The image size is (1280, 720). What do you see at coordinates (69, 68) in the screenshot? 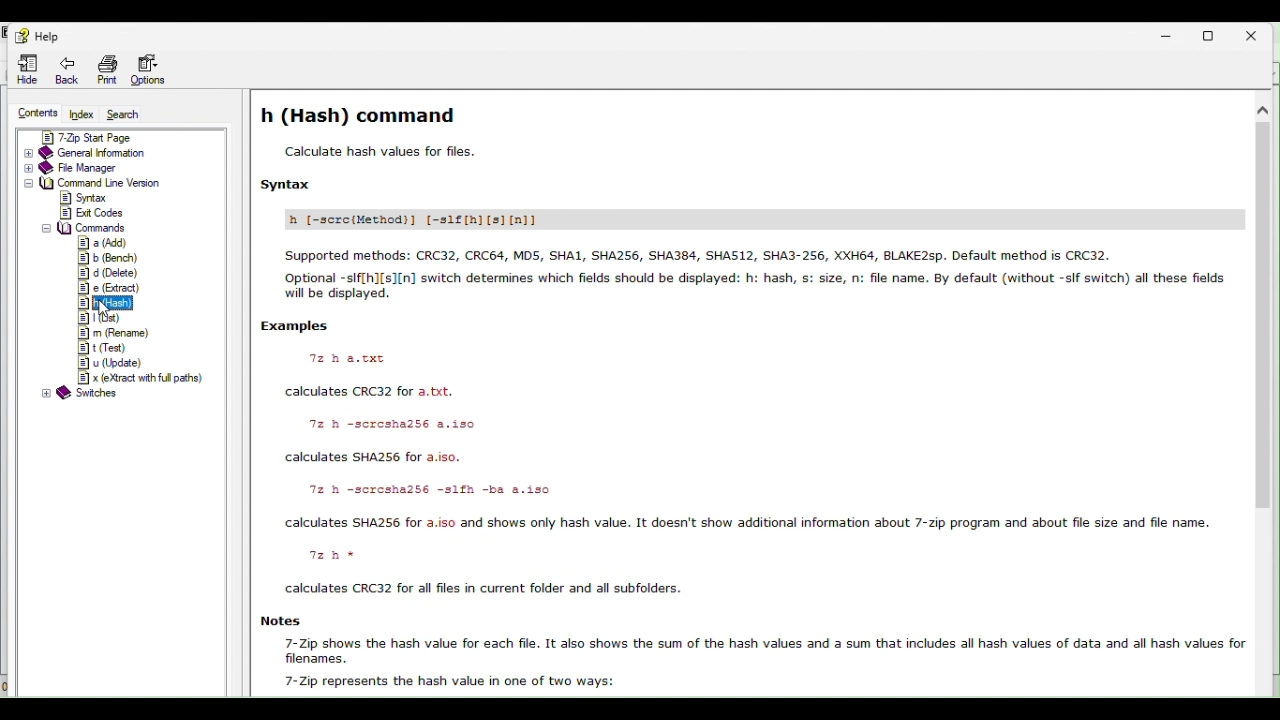
I see `Back ` at bounding box center [69, 68].